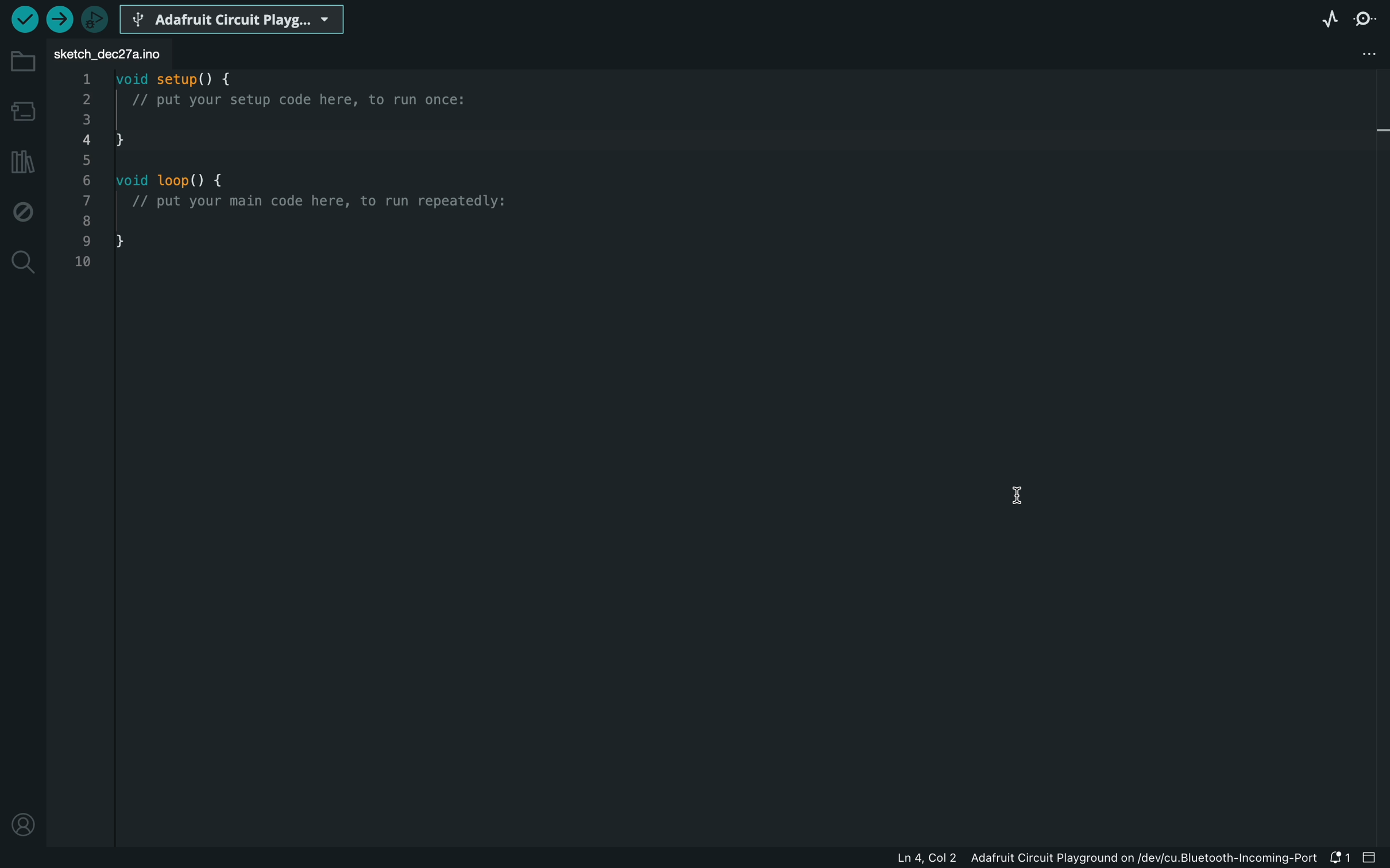 Image resolution: width=1390 pixels, height=868 pixels. What do you see at coordinates (61, 19) in the screenshot?
I see `upload` at bounding box center [61, 19].